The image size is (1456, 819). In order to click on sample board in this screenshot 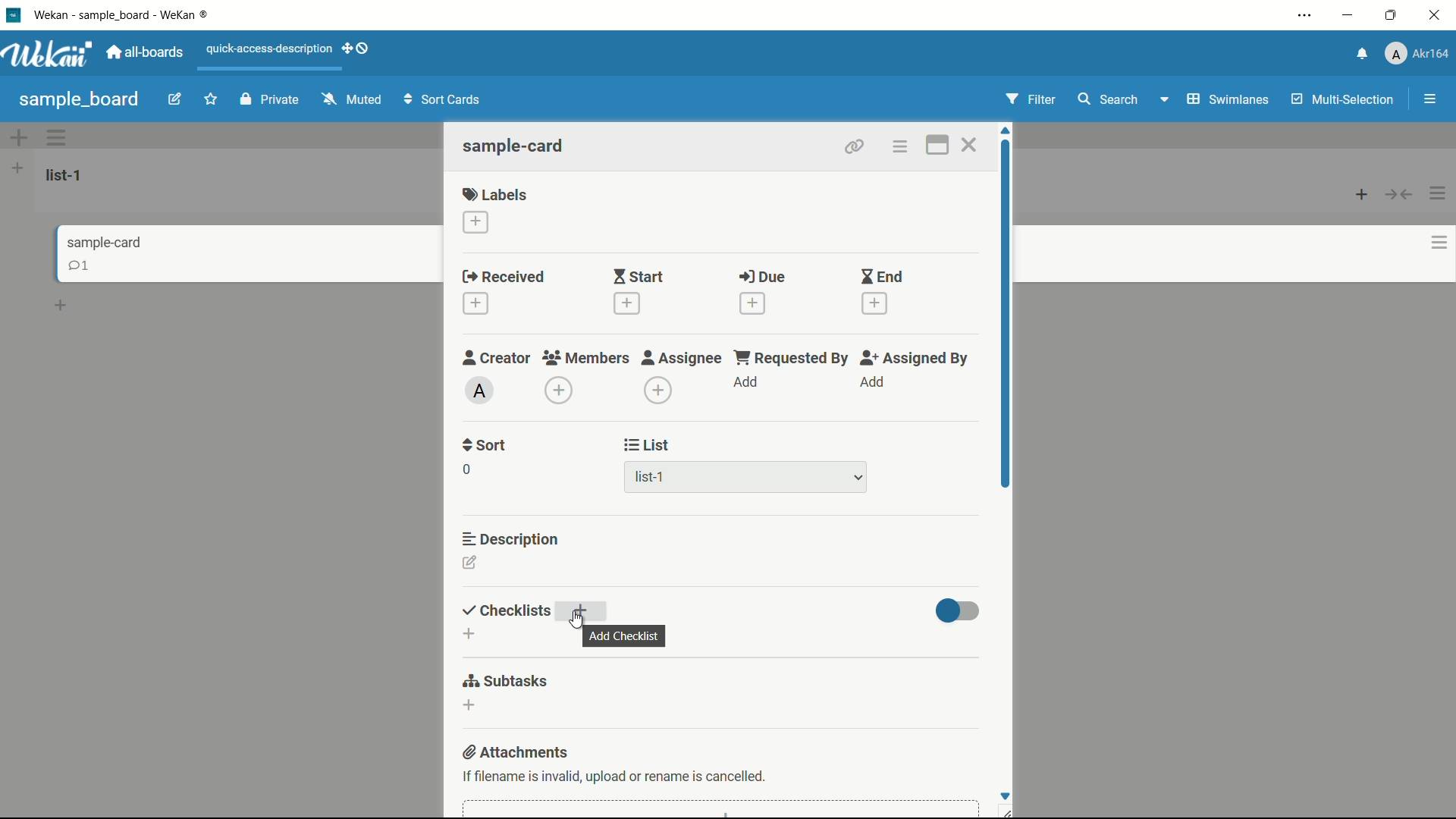, I will do `click(78, 99)`.